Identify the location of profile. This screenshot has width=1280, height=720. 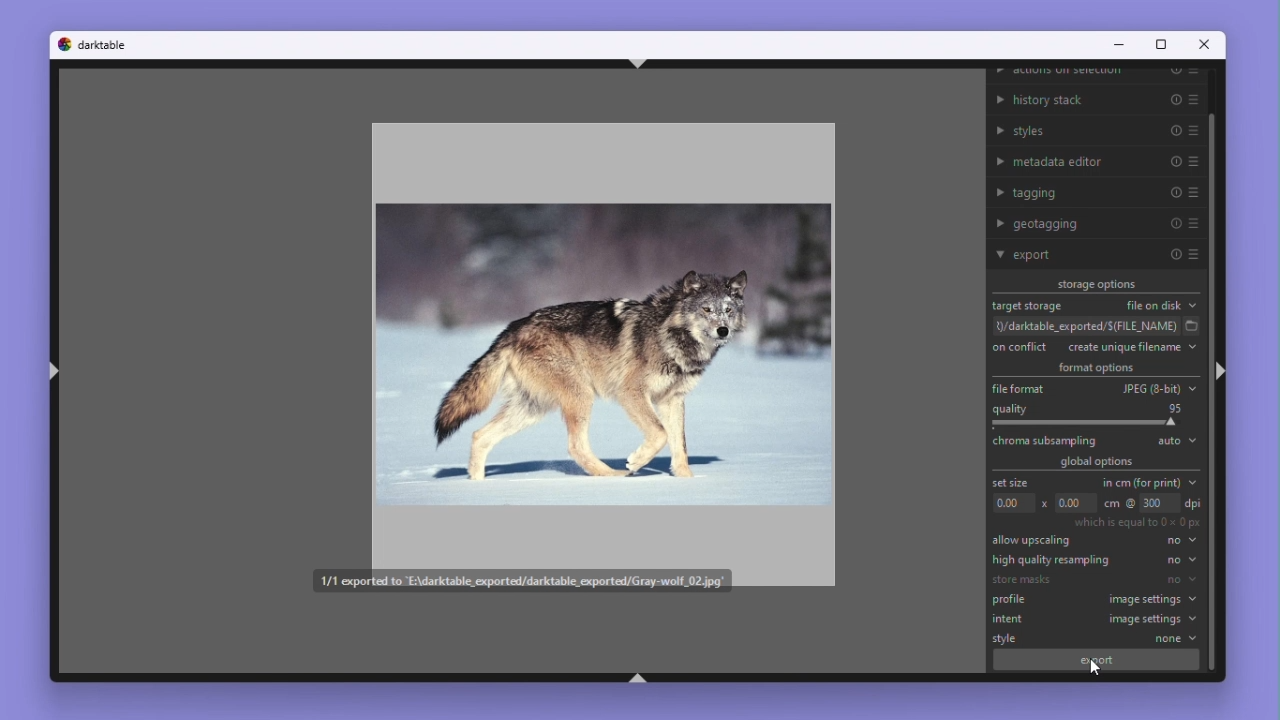
(1007, 599).